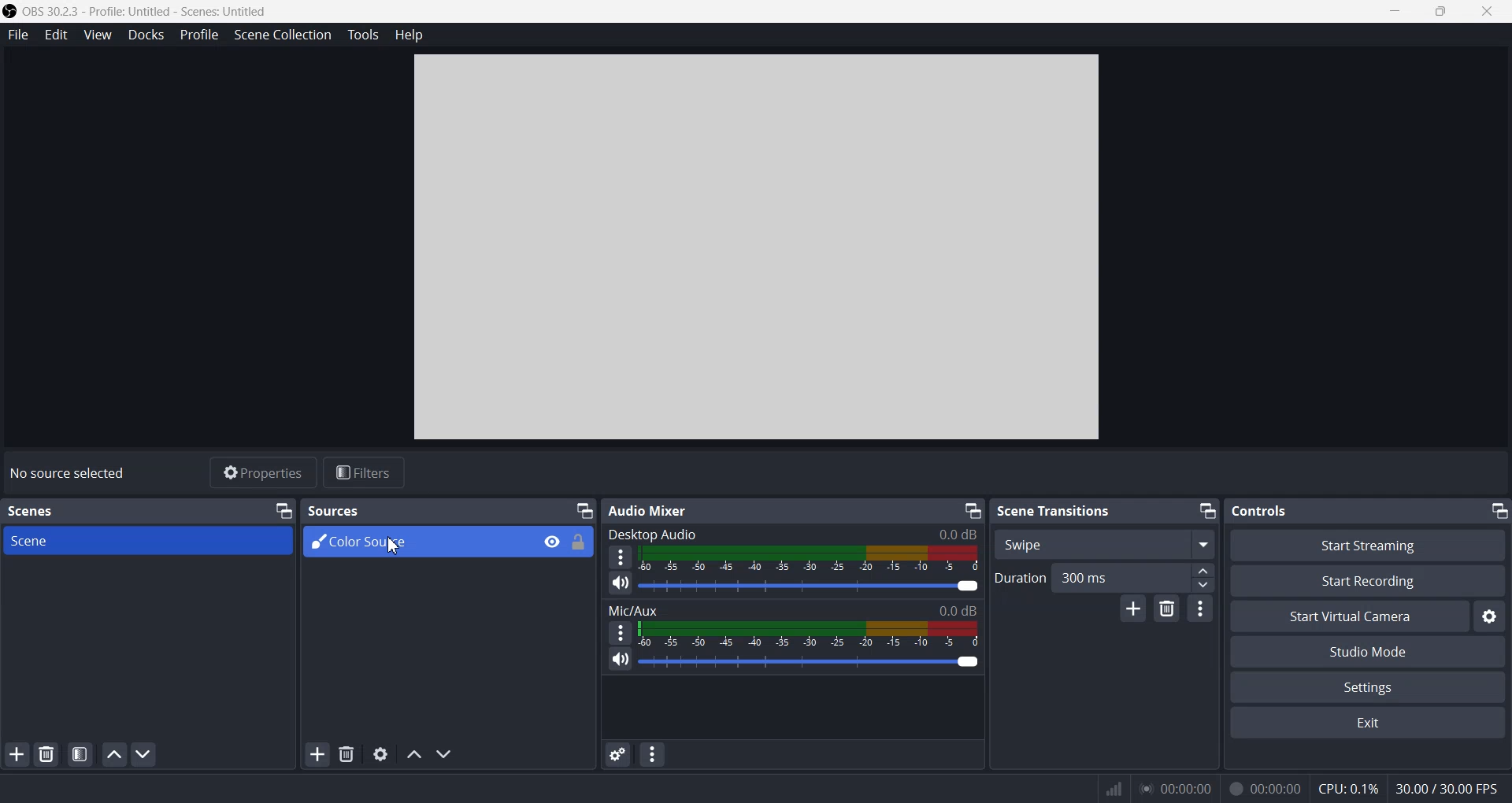 The height and width of the screenshot is (803, 1512). Describe the element at coordinates (1133, 609) in the screenshot. I see `Add configurable transition` at that location.